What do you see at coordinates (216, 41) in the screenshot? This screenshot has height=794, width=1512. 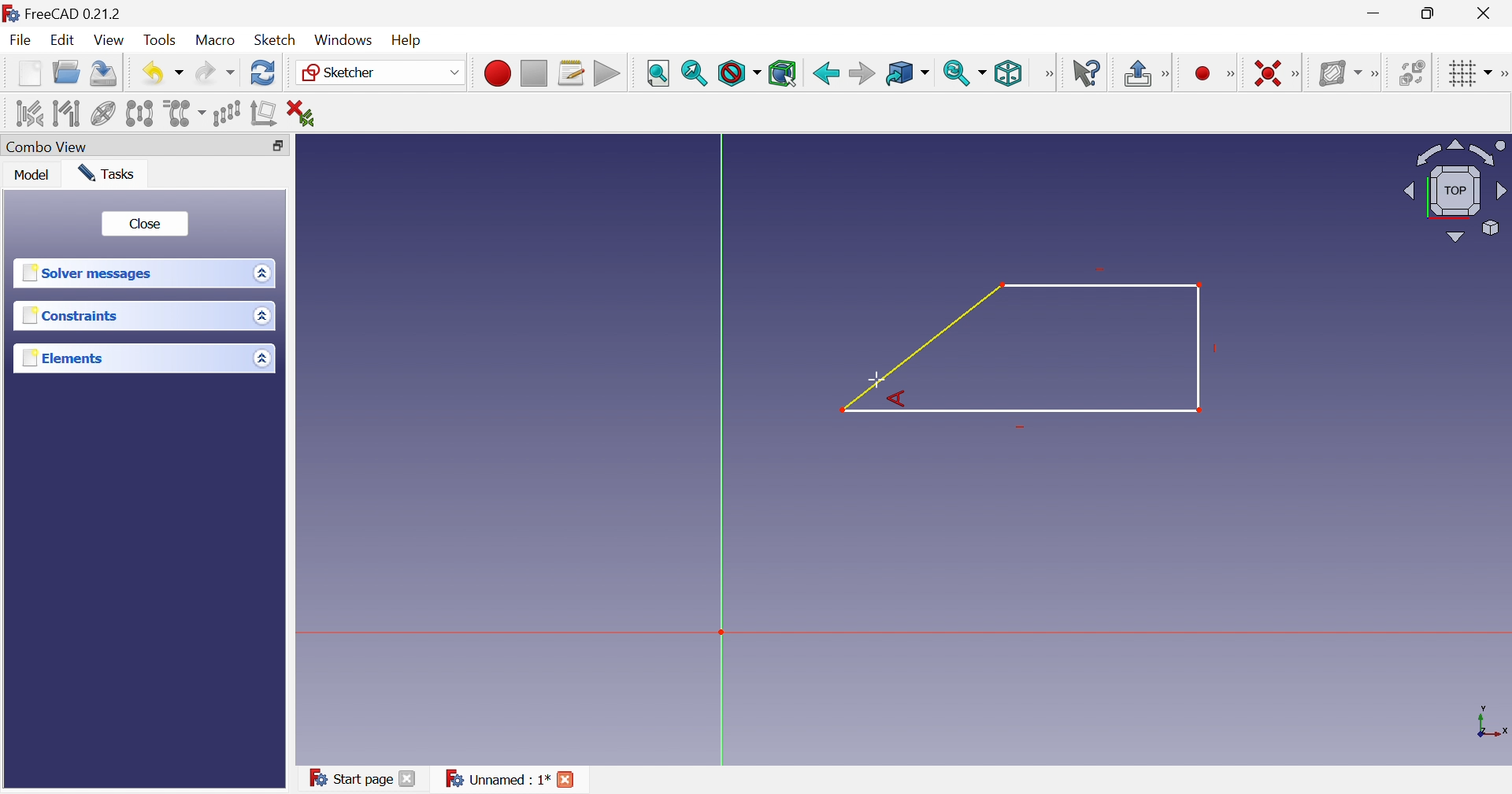 I see `Macro` at bounding box center [216, 41].